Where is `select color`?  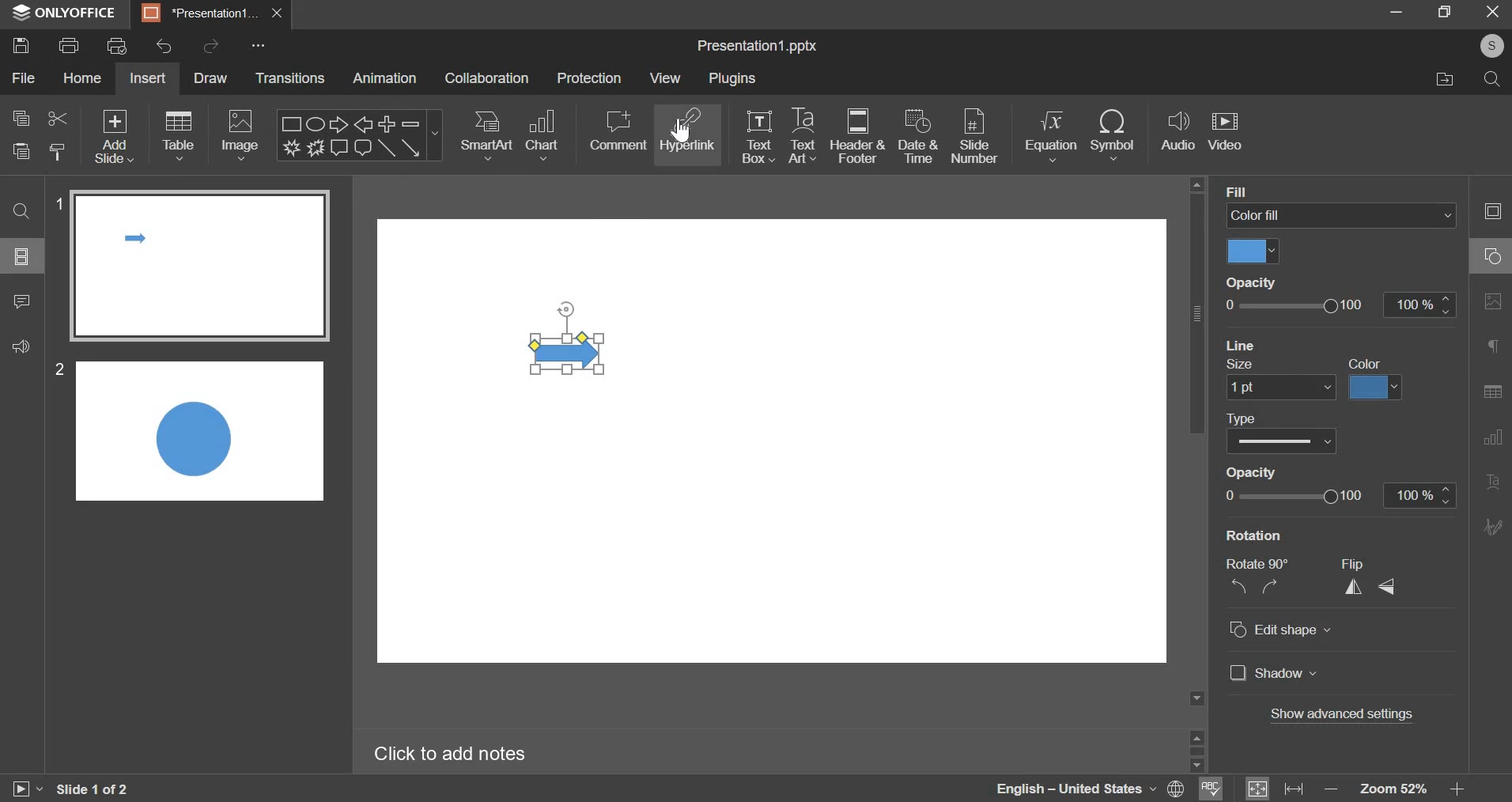 select color is located at coordinates (1377, 388).